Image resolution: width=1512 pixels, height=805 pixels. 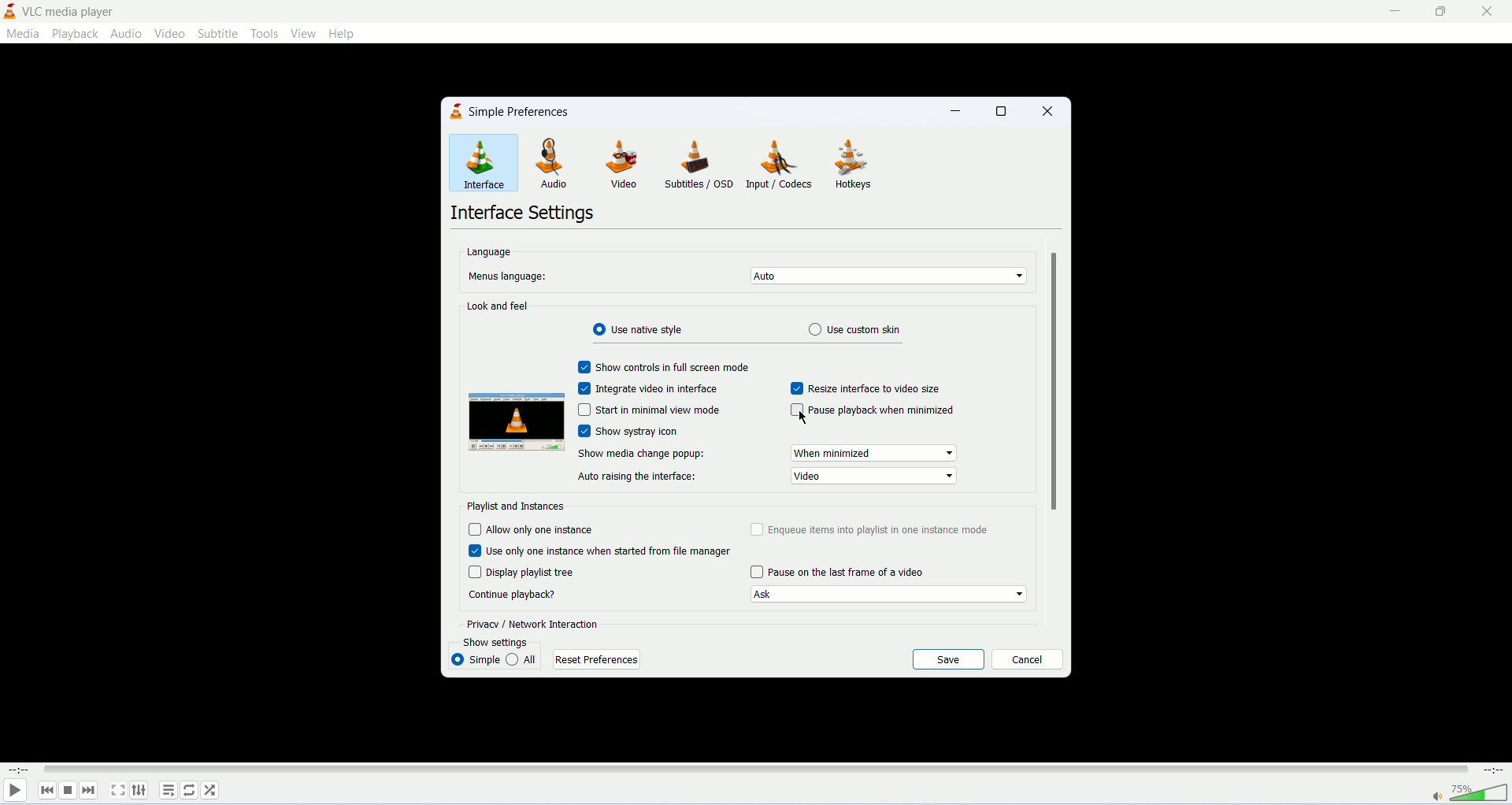 I want to click on Checbox, so click(x=472, y=551).